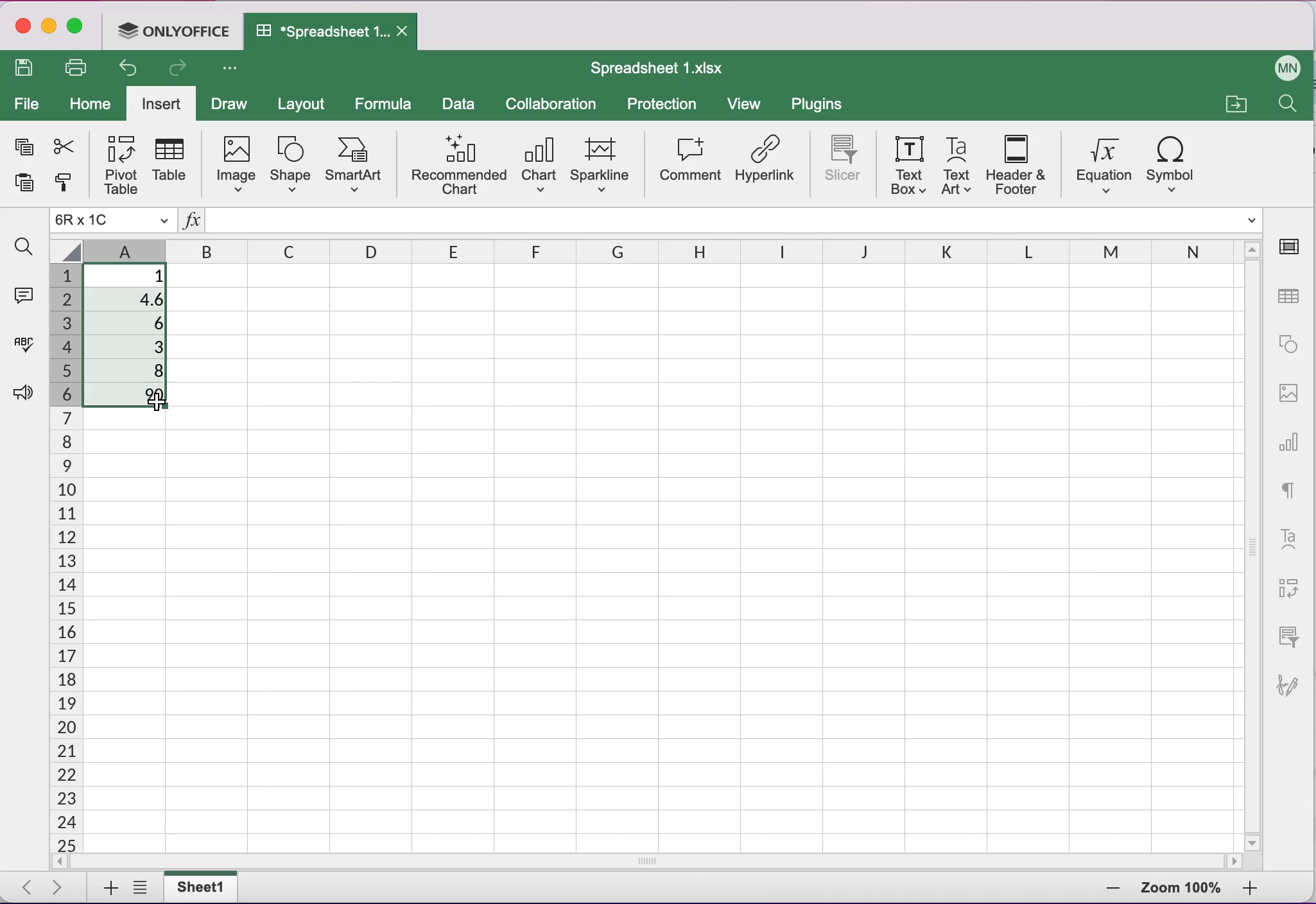  Describe the element at coordinates (1288, 542) in the screenshot. I see `text art` at that location.